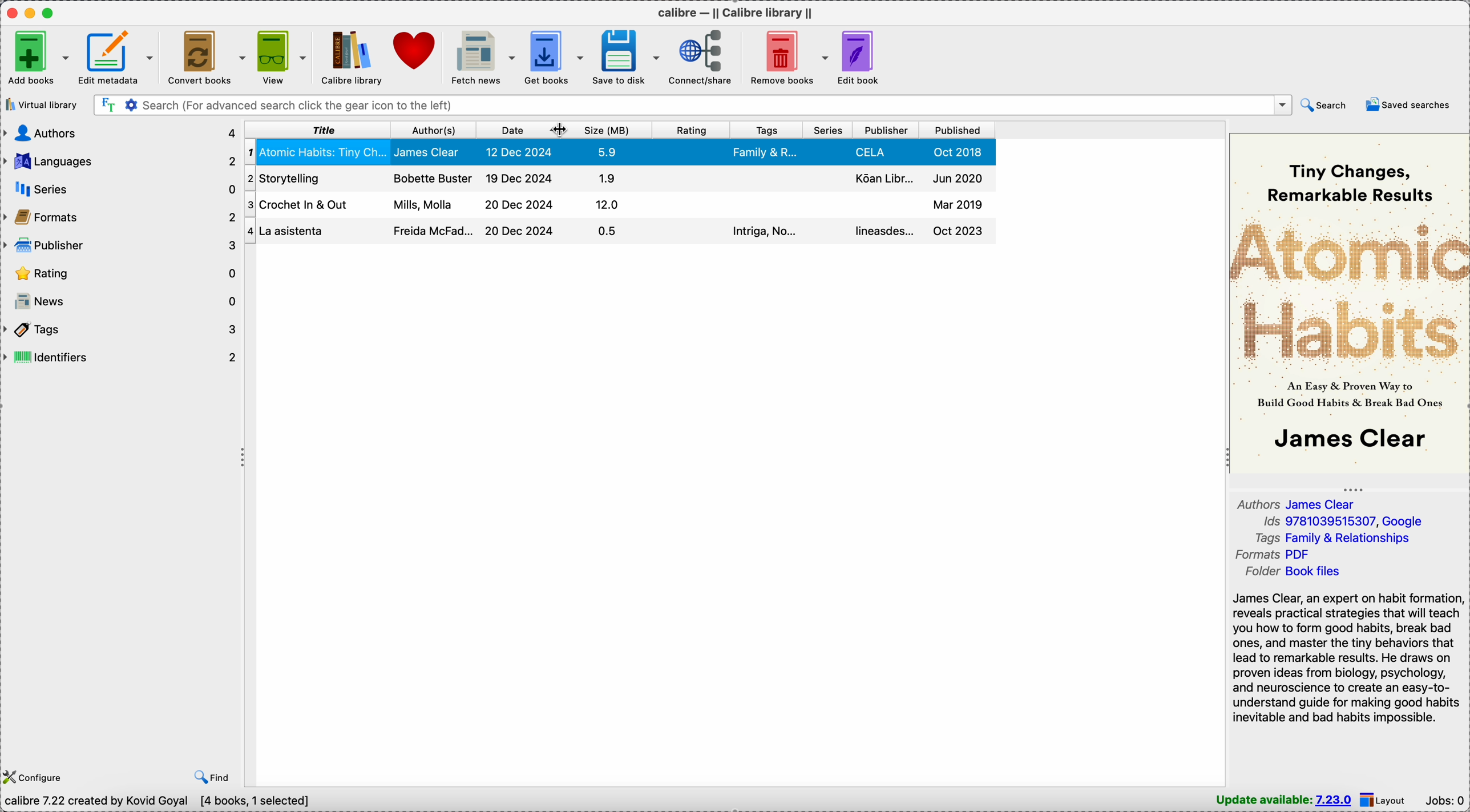 This screenshot has height=812, width=1470. What do you see at coordinates (11, 12) in the screenshot?
I see `close Calibre` at bounding box center [11, 12].